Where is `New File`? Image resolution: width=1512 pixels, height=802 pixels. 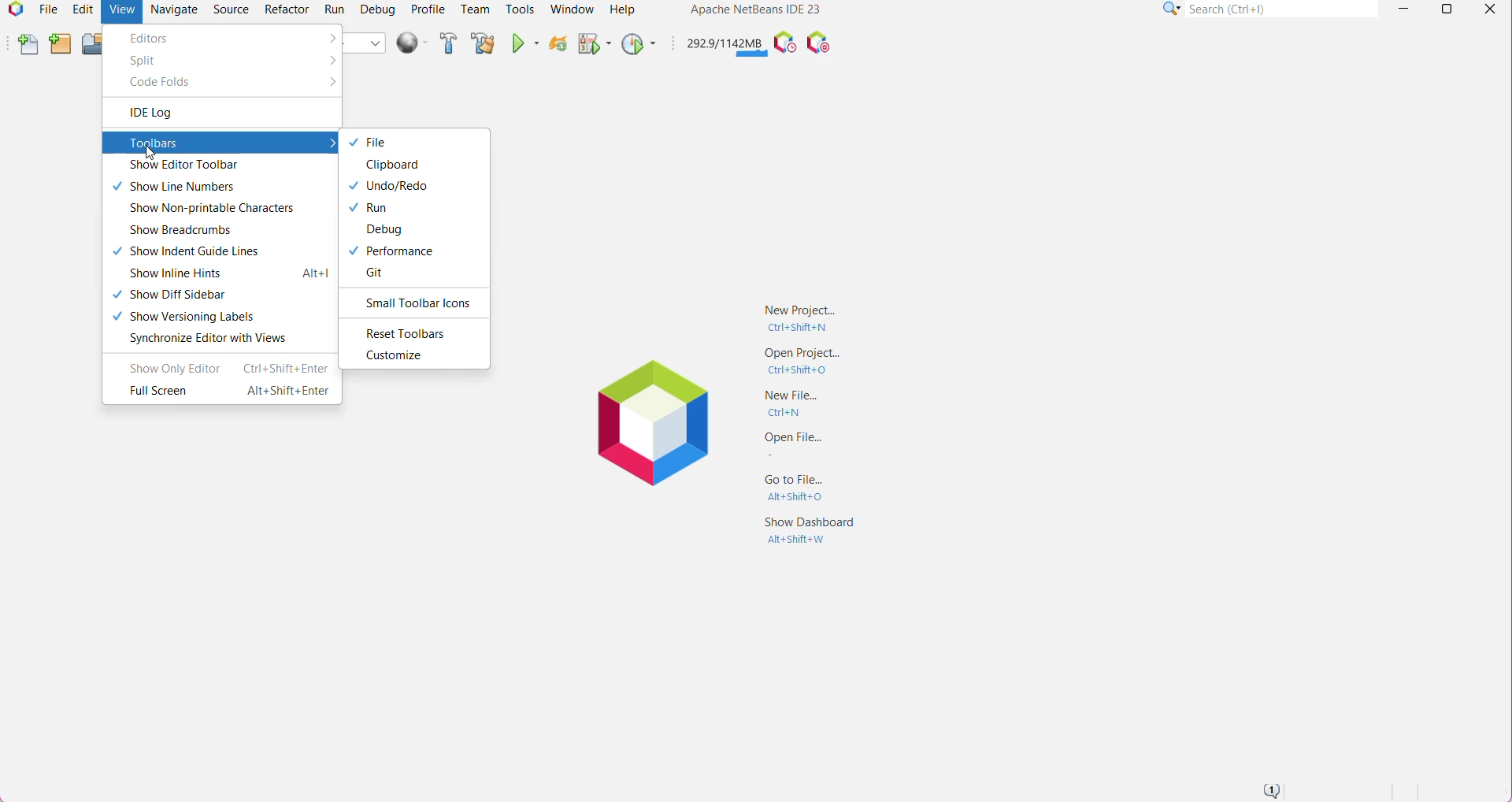 New File is located at coordinates (28, 44).